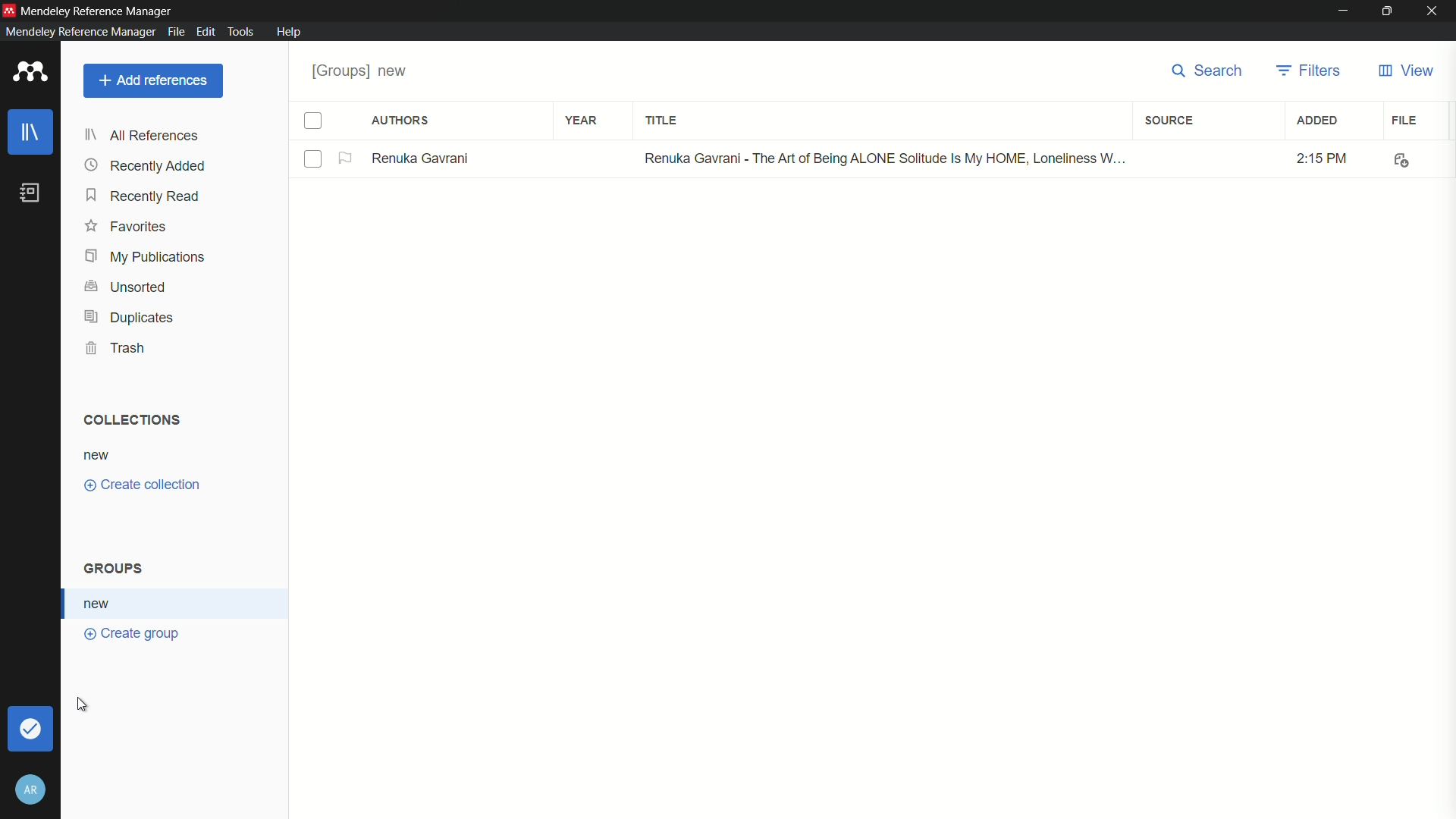 This screenshot has height=819, width=1456. I want to click on account and help, so click(32, 789).